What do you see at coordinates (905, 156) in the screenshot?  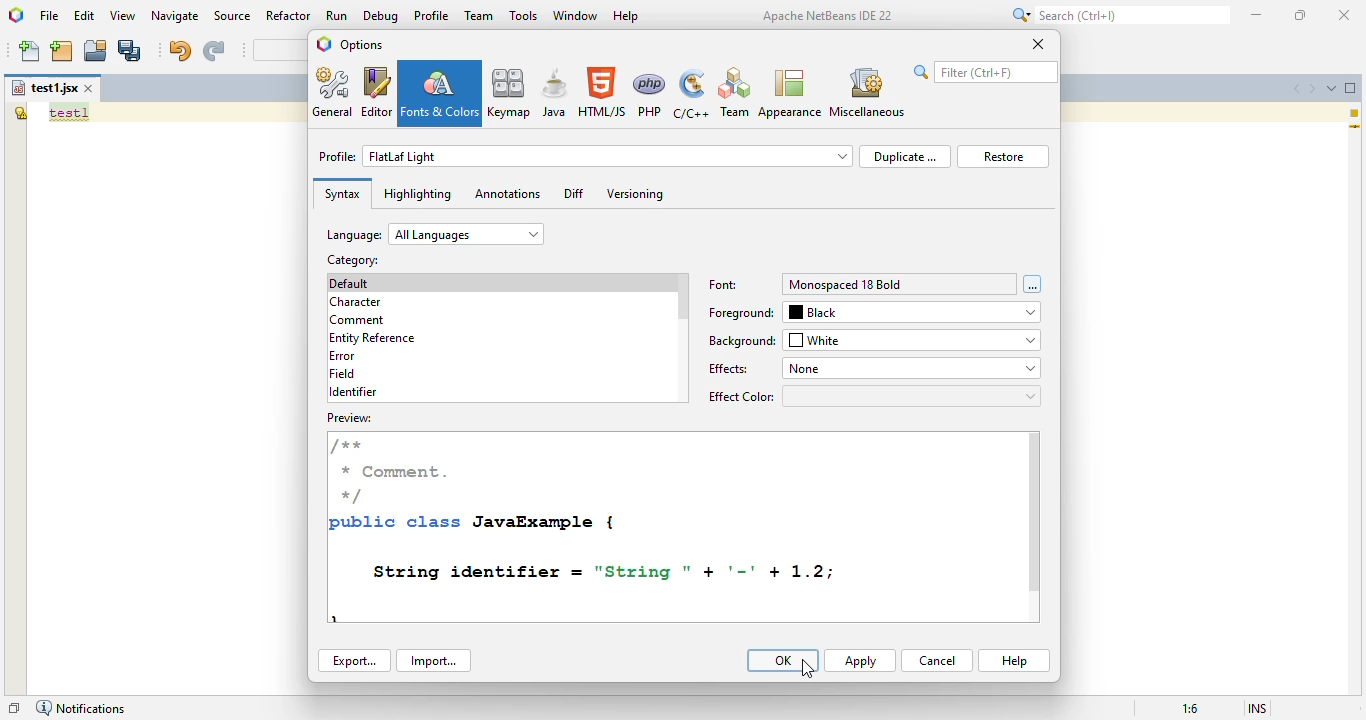 I see `duplicate` at bounding box center [905, 156].